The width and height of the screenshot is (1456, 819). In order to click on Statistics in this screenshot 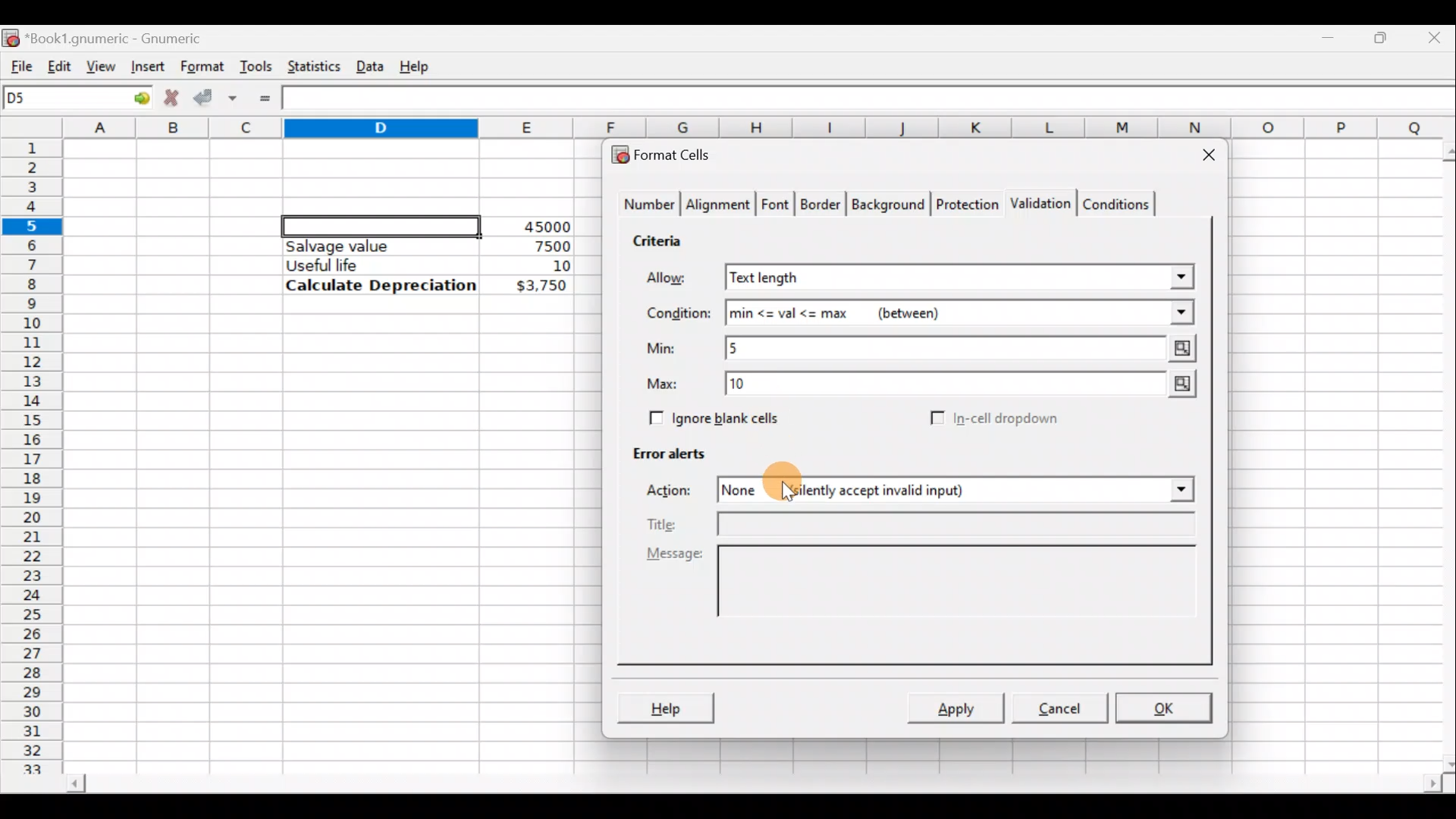, I will do `click(310, 65)`.